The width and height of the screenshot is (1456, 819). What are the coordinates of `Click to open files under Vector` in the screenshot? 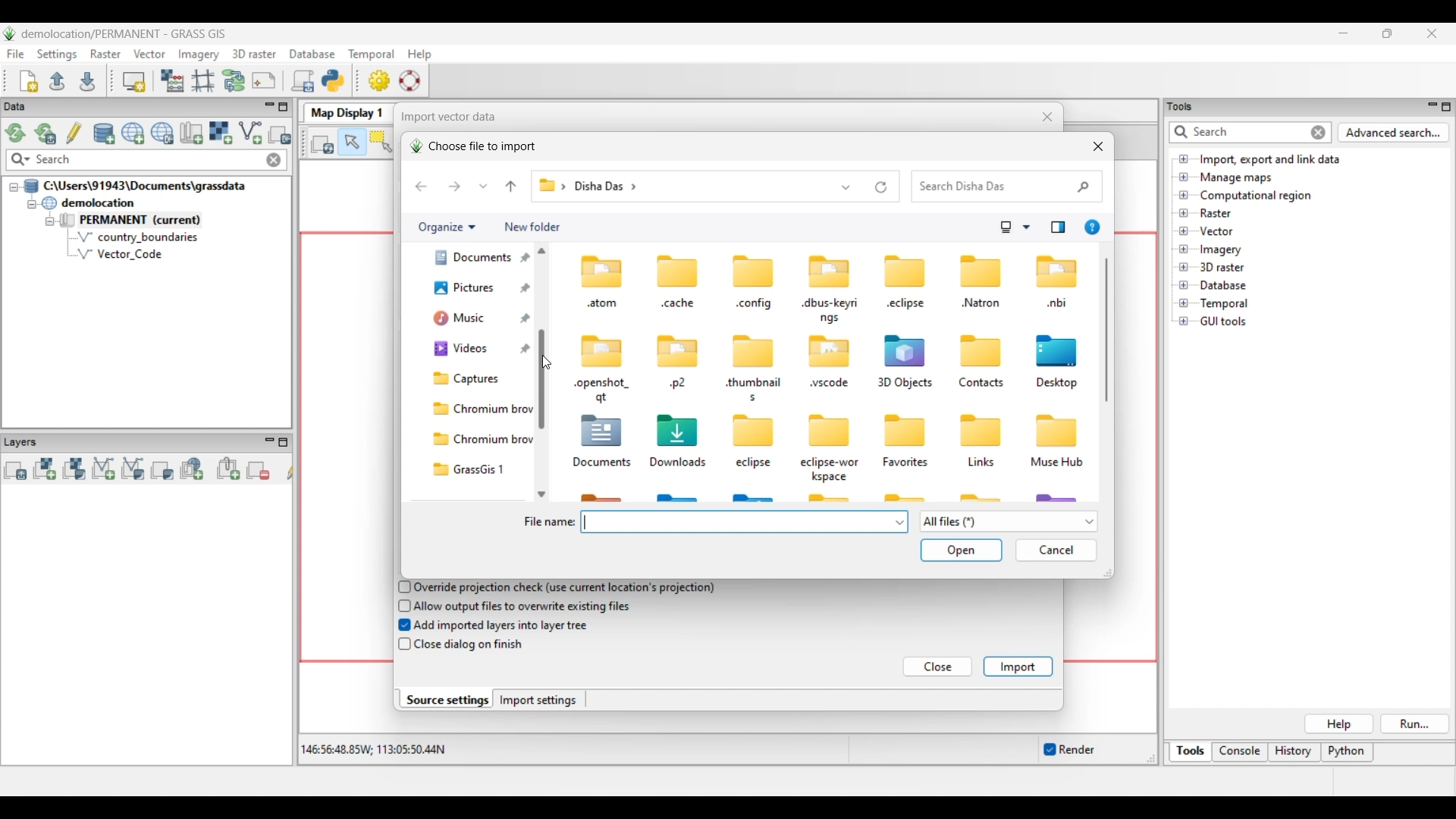 It's located at (1184, 231).